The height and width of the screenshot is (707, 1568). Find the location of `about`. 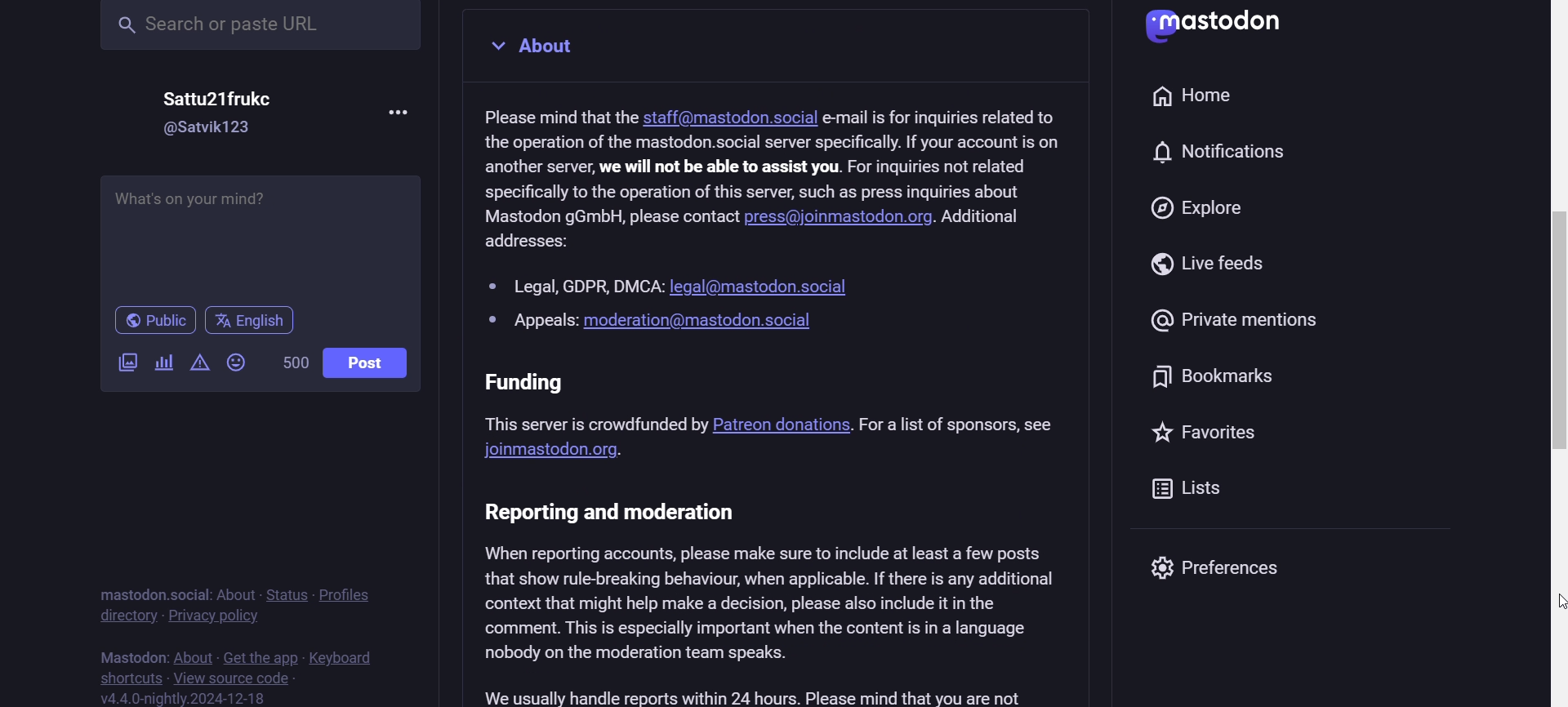

about is located at coordinates (192, 651).